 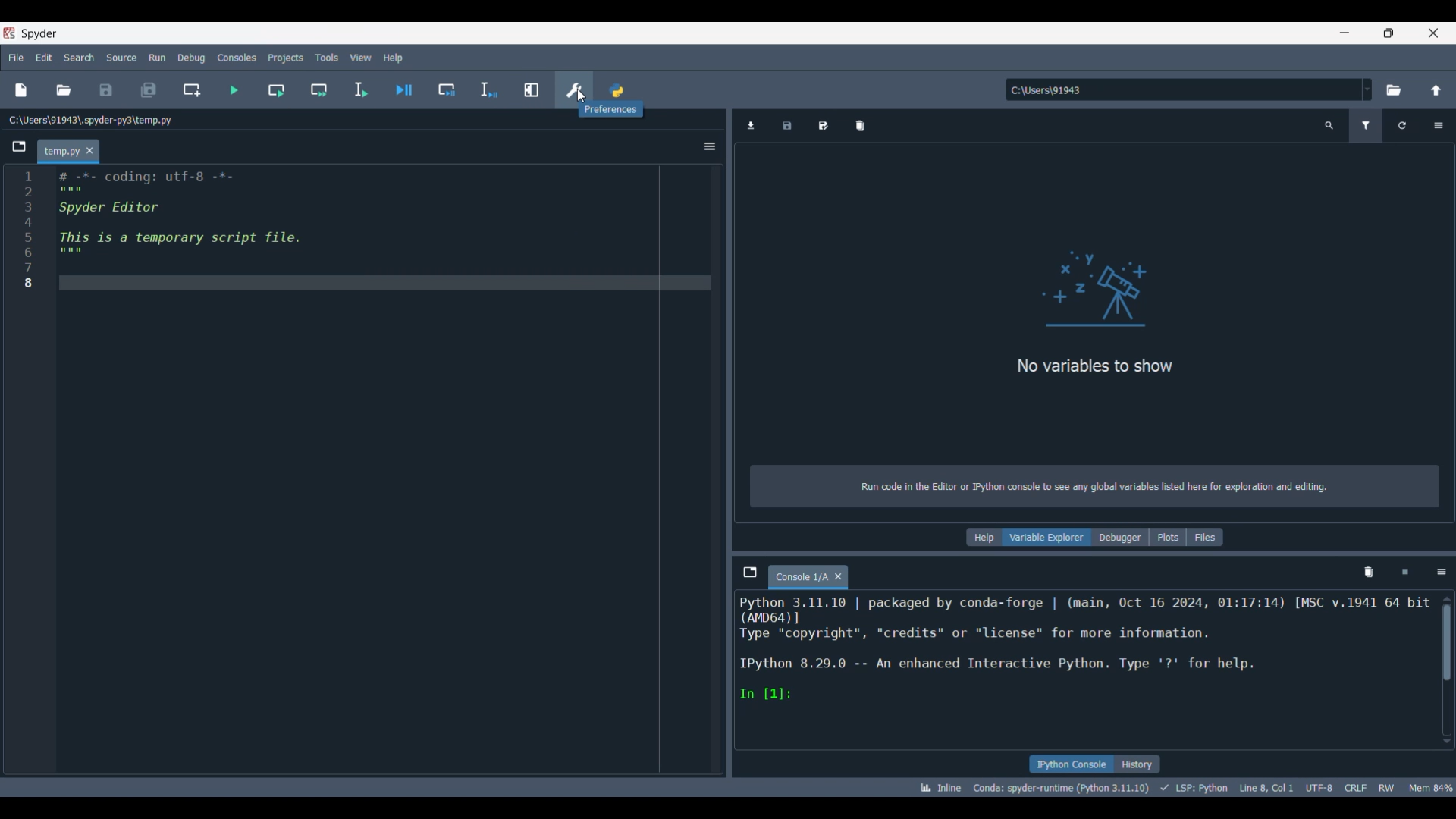 What do you see at coordinates (277, 90) in the screenshot?
I see `Run current cell` at bounding box center [277, 90].